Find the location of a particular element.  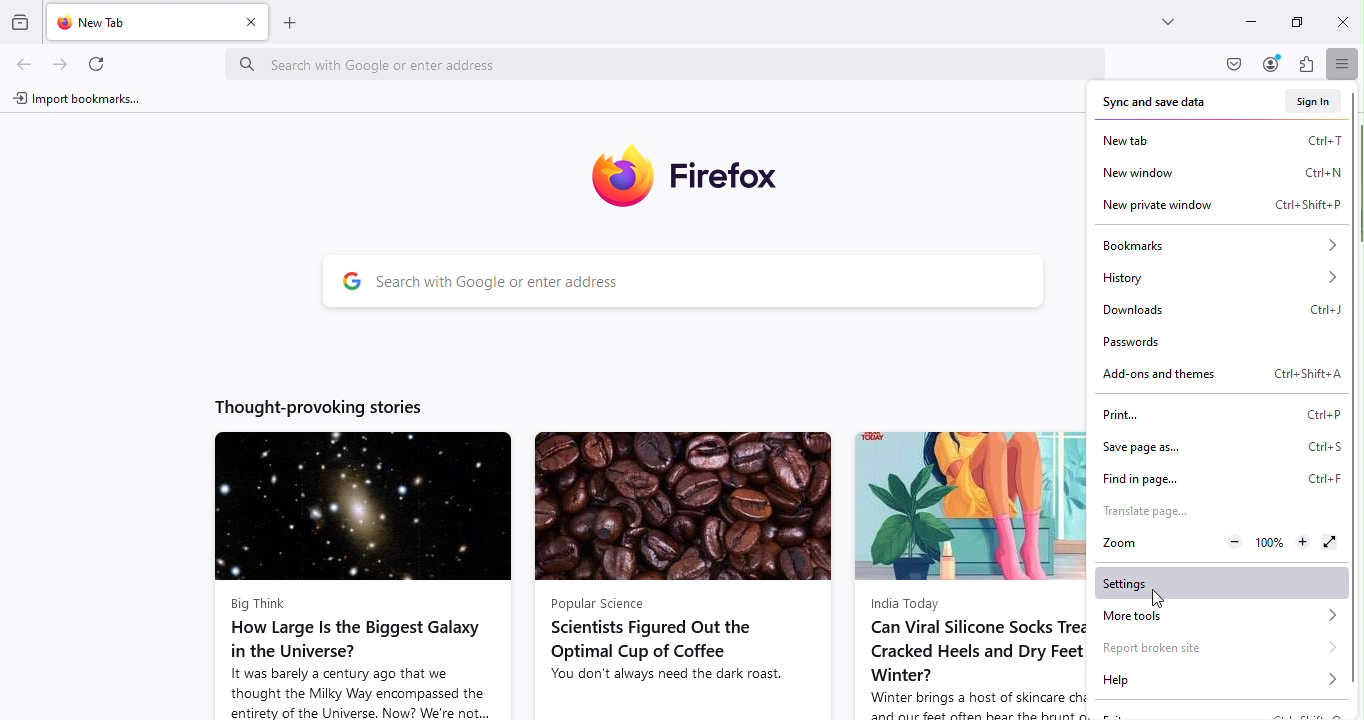

Reset zoom level is located at coordinates (1269, 540).